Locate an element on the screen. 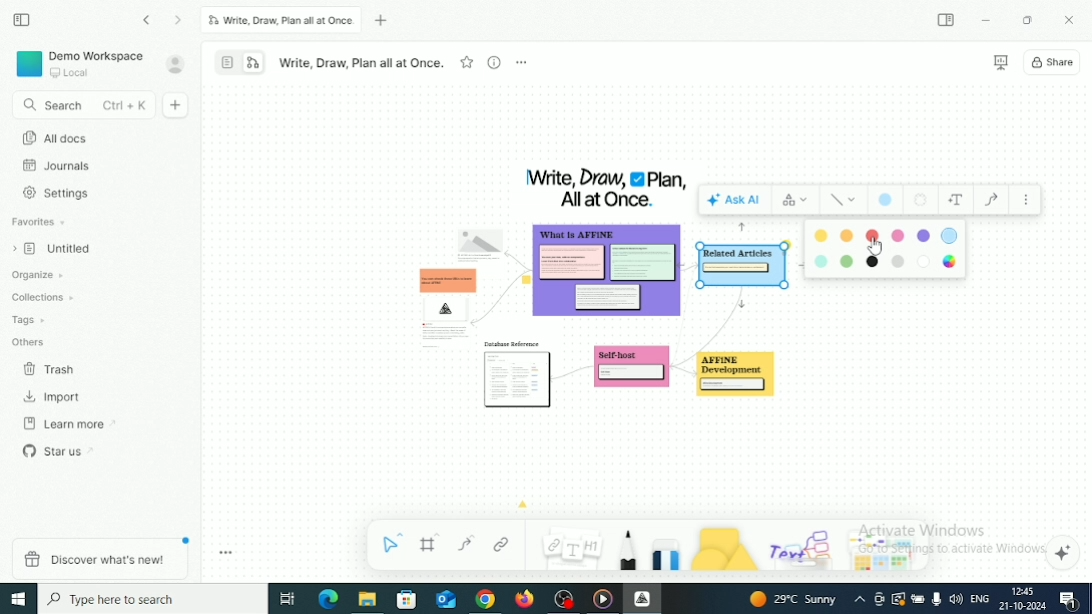  Sticky notes is located at coordinates (609, 275).